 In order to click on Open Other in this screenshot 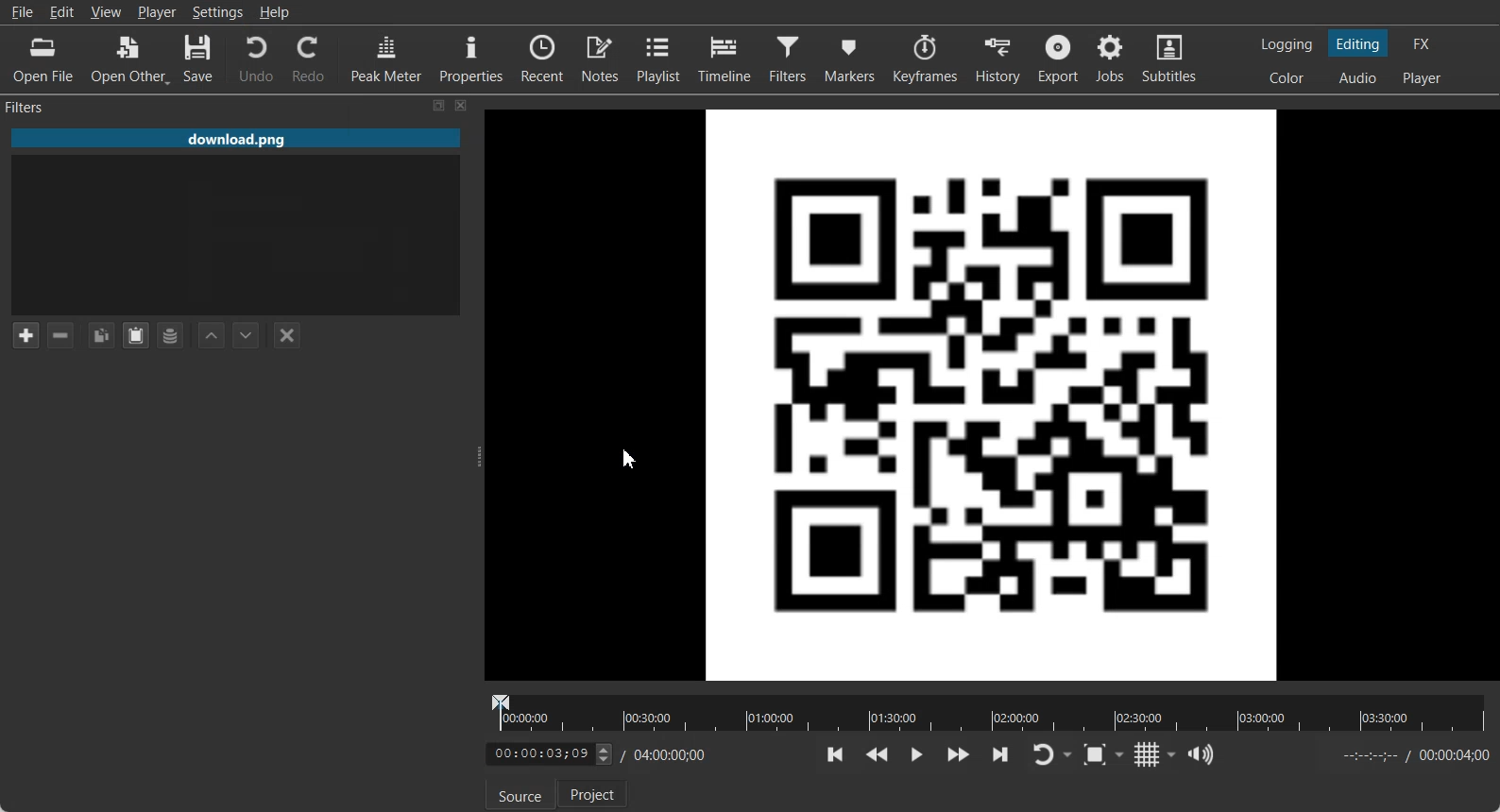, I will do `click(129, 59)`.